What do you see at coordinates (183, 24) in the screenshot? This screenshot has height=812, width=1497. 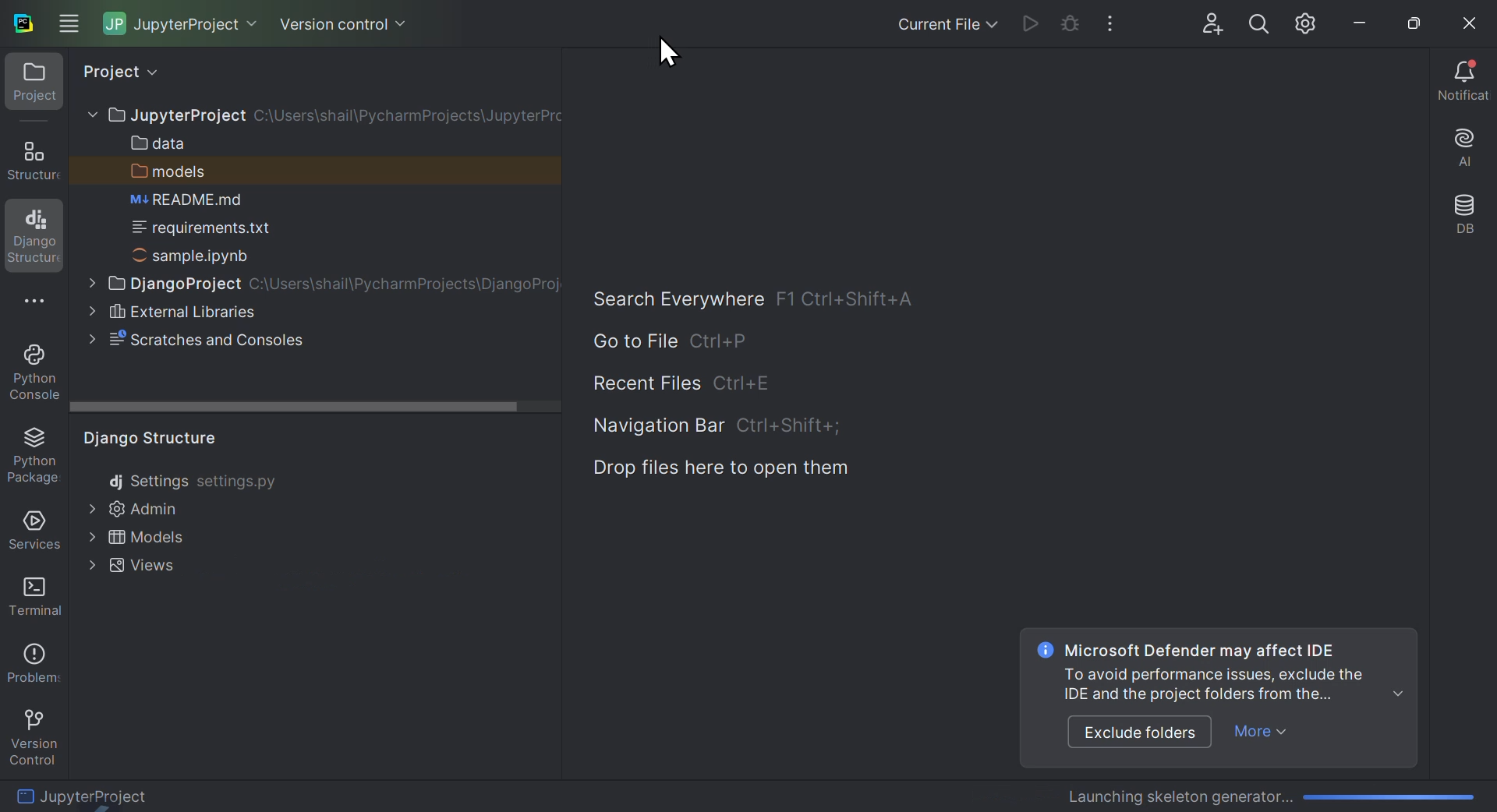 I see `Jupyter project` at bounding box center [183, 24].